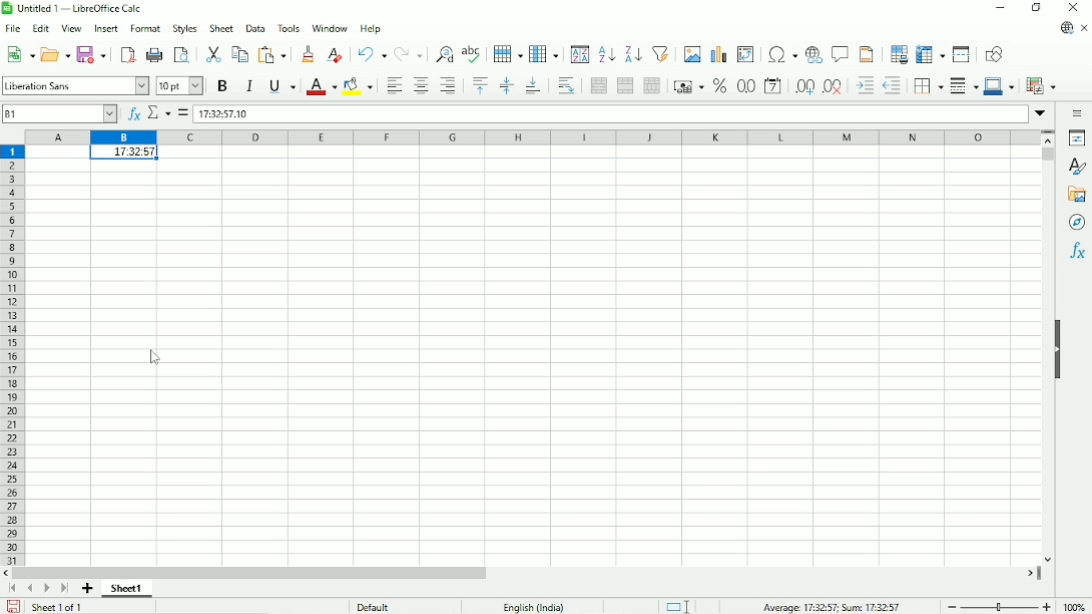 The width and height of the screenshot is (1092, 614). I want to click on Close, so click(1072, 7).